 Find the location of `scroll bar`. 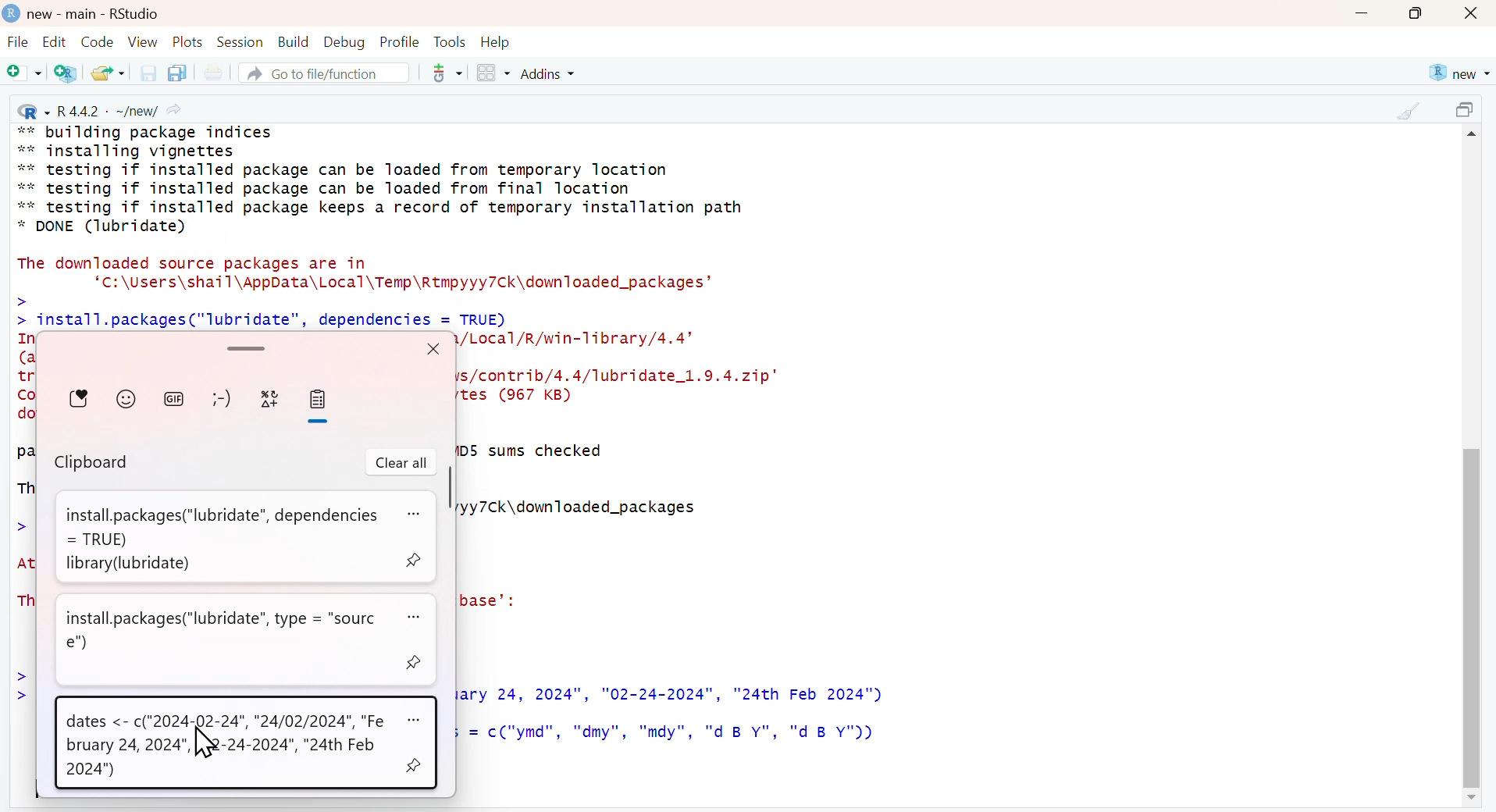

scroll bar is located at coordinates (244, 347).